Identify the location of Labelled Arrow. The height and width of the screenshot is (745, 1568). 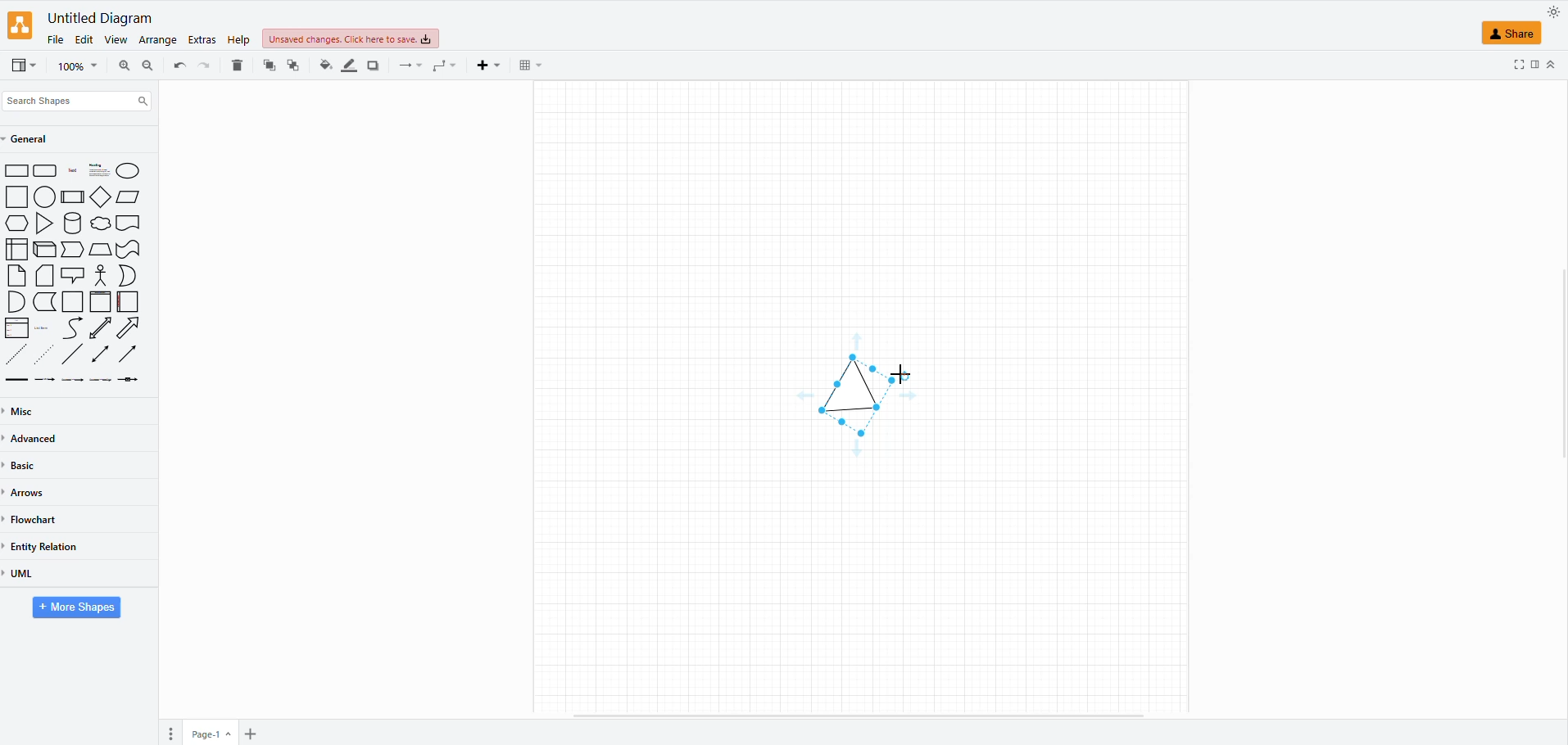
(72, 380).